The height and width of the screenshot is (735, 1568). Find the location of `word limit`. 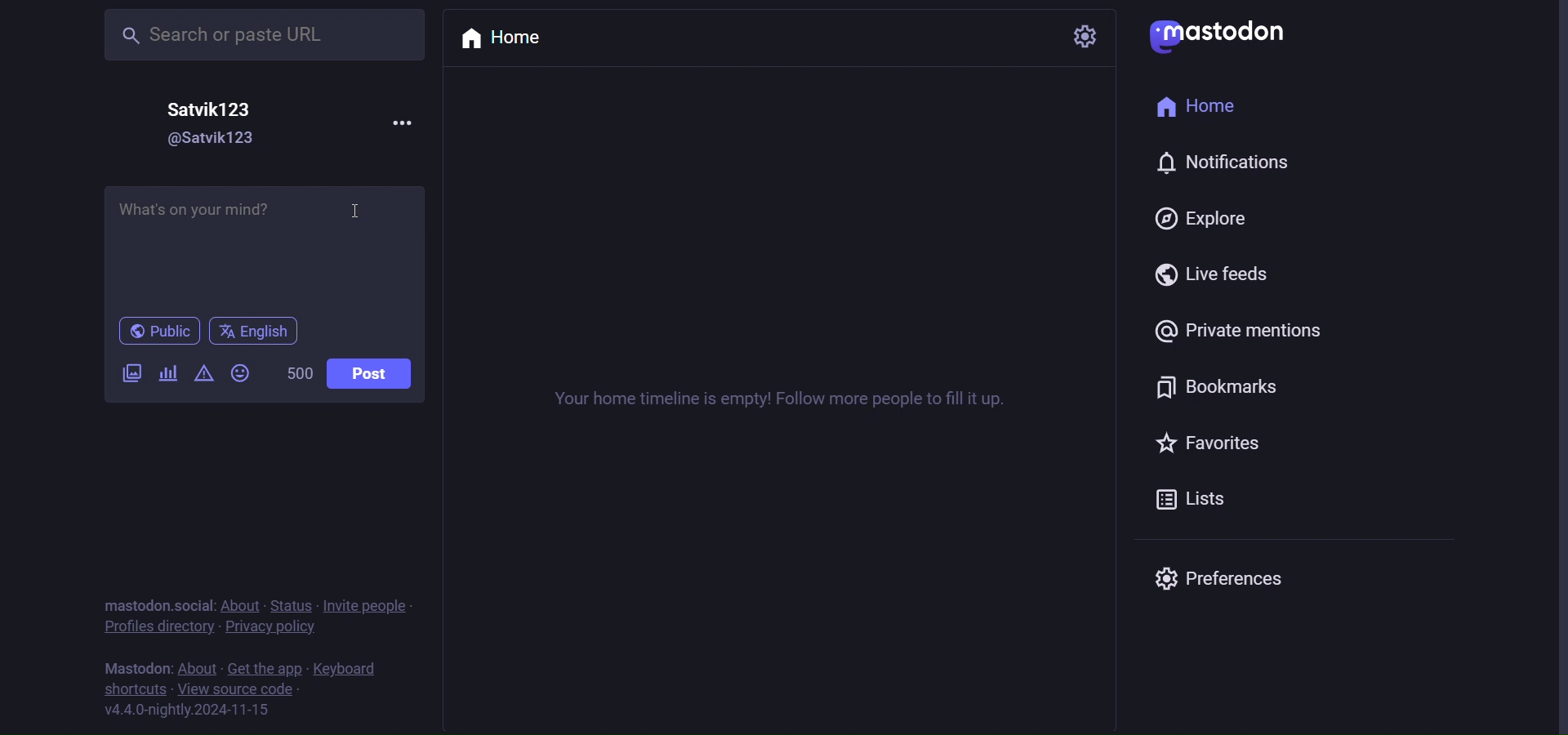

word limit is located at coordinates (300, 374).